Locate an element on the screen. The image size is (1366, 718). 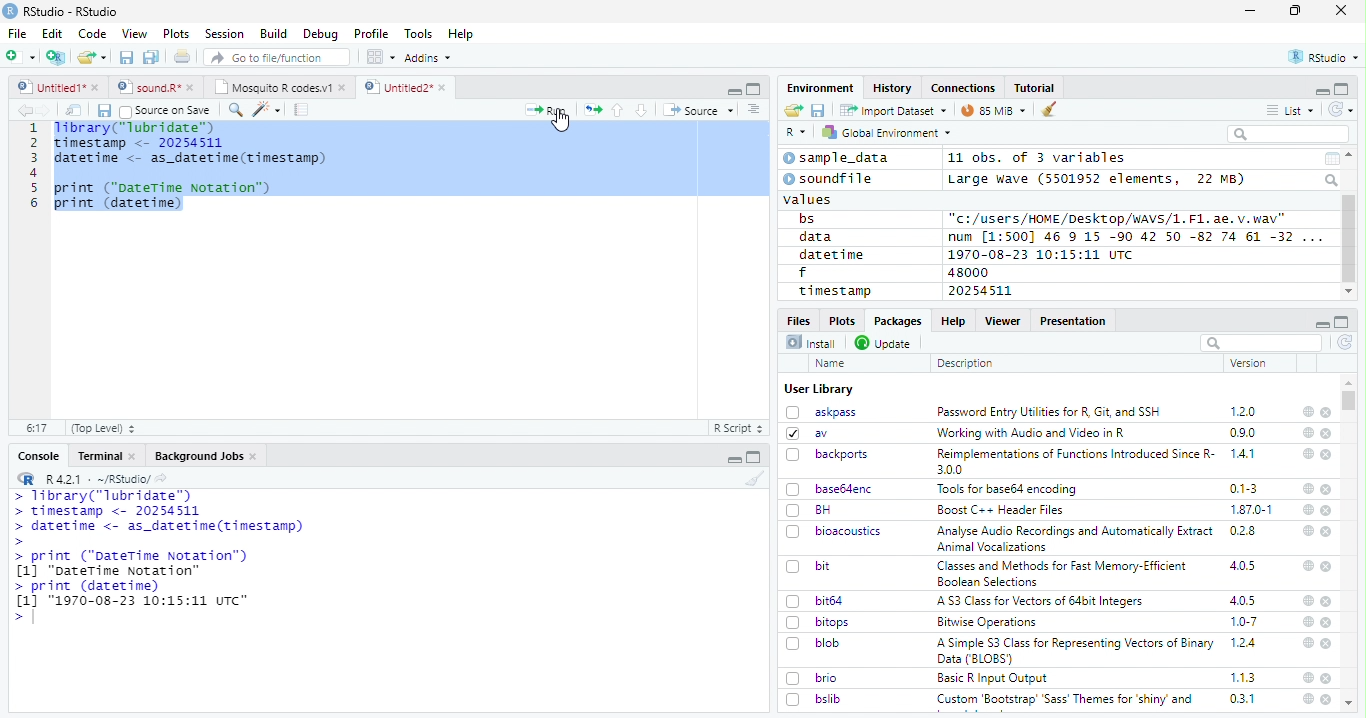
library ("lubridate") Timestamp <- 2012368256]datetime <- as_datetime(timestamp) is located at coordinates (188, 144).